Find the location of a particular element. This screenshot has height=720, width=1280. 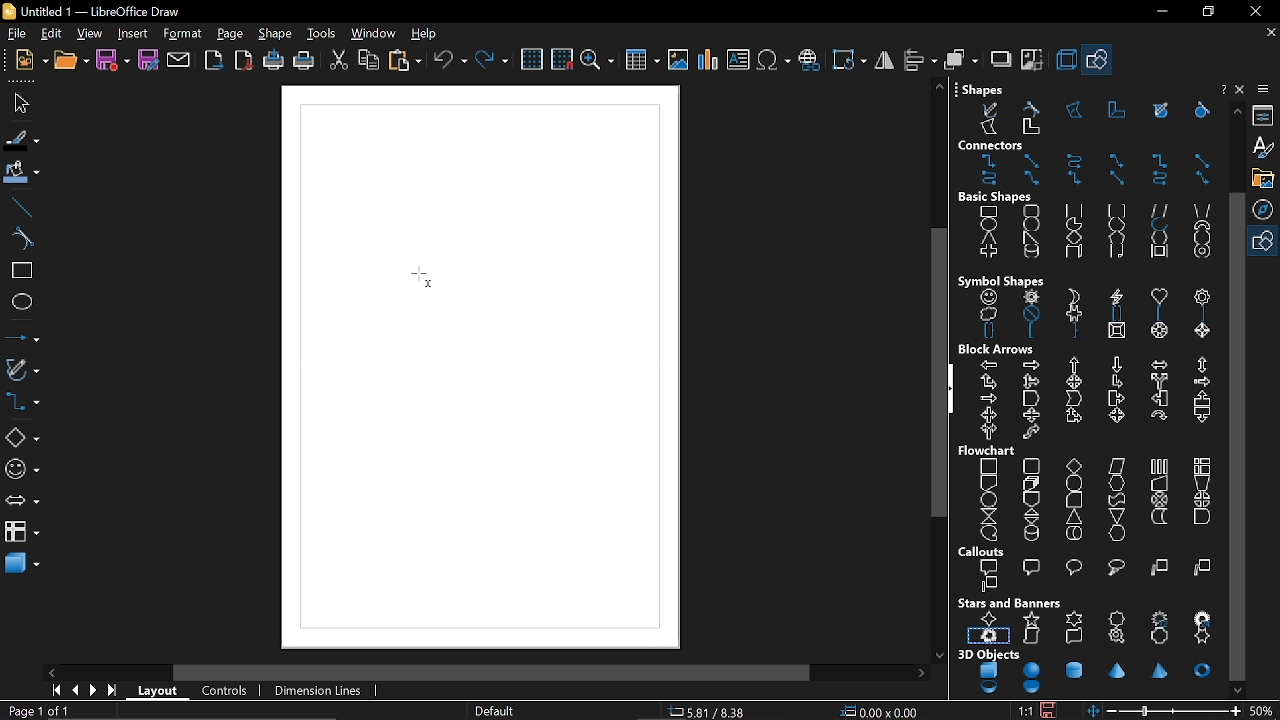

Zoom is located at coordinates (1265, 710).